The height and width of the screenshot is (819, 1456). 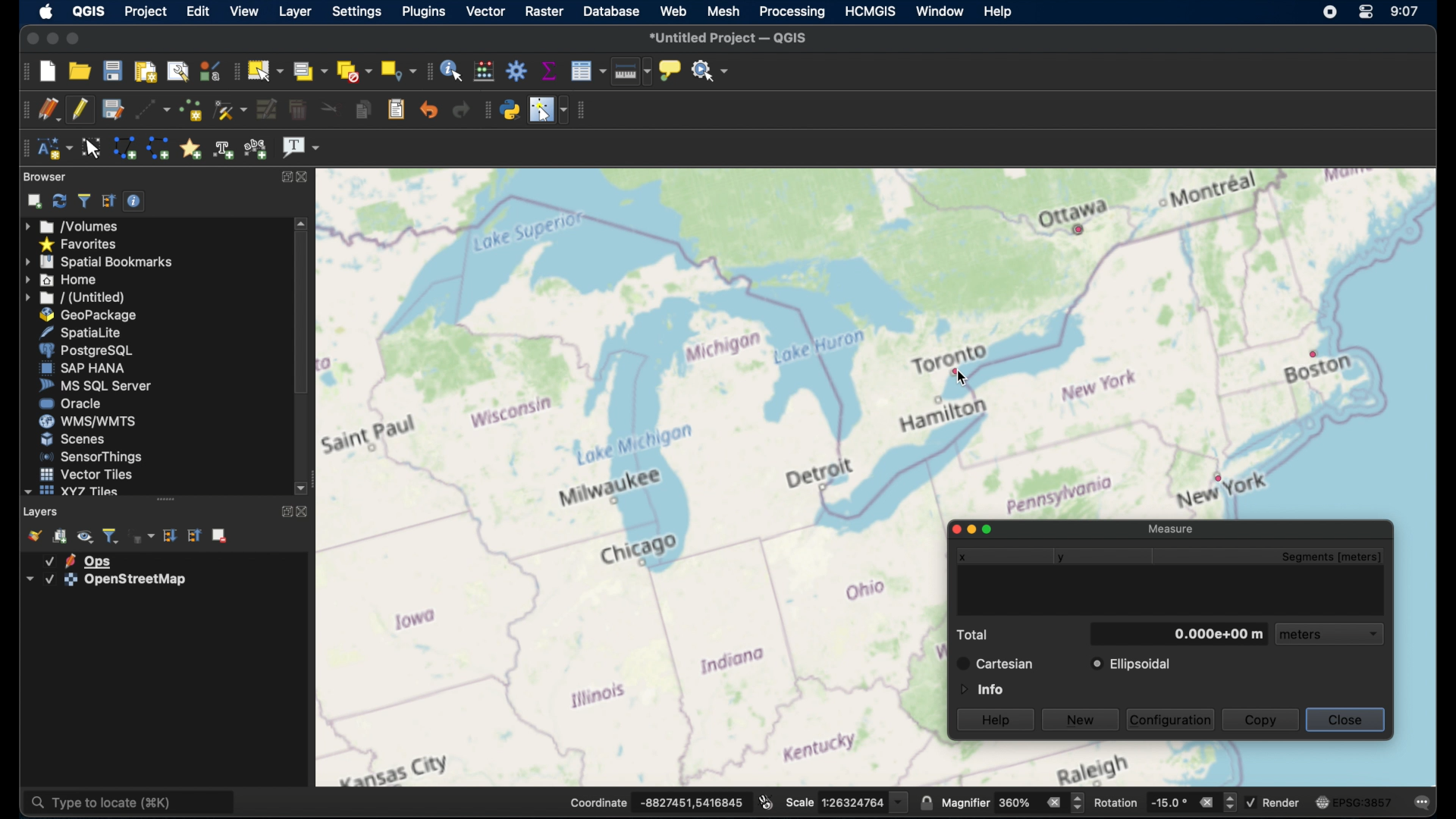 What do you see at coordinates (177, 69) in the screenshot?
I see `show layout manager` at bounding box center [177, 69].